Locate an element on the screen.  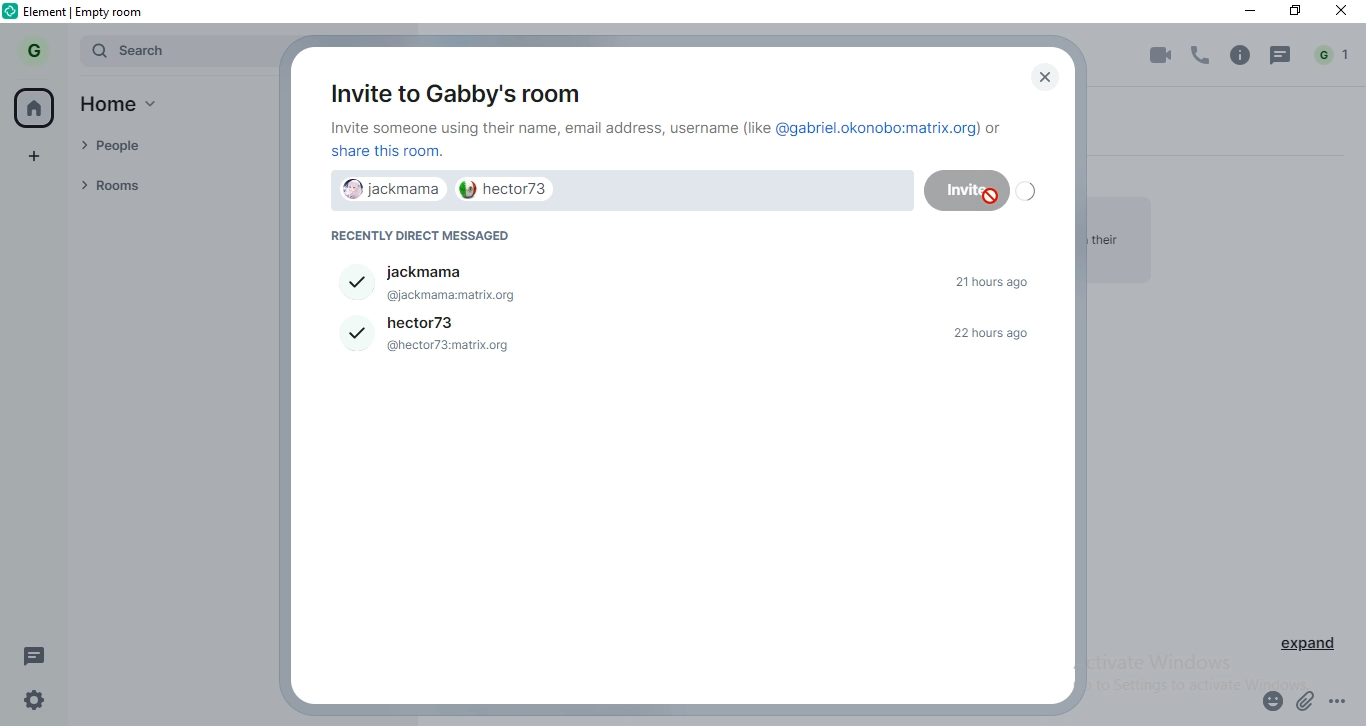
search  is located at coordinates (174, 51).